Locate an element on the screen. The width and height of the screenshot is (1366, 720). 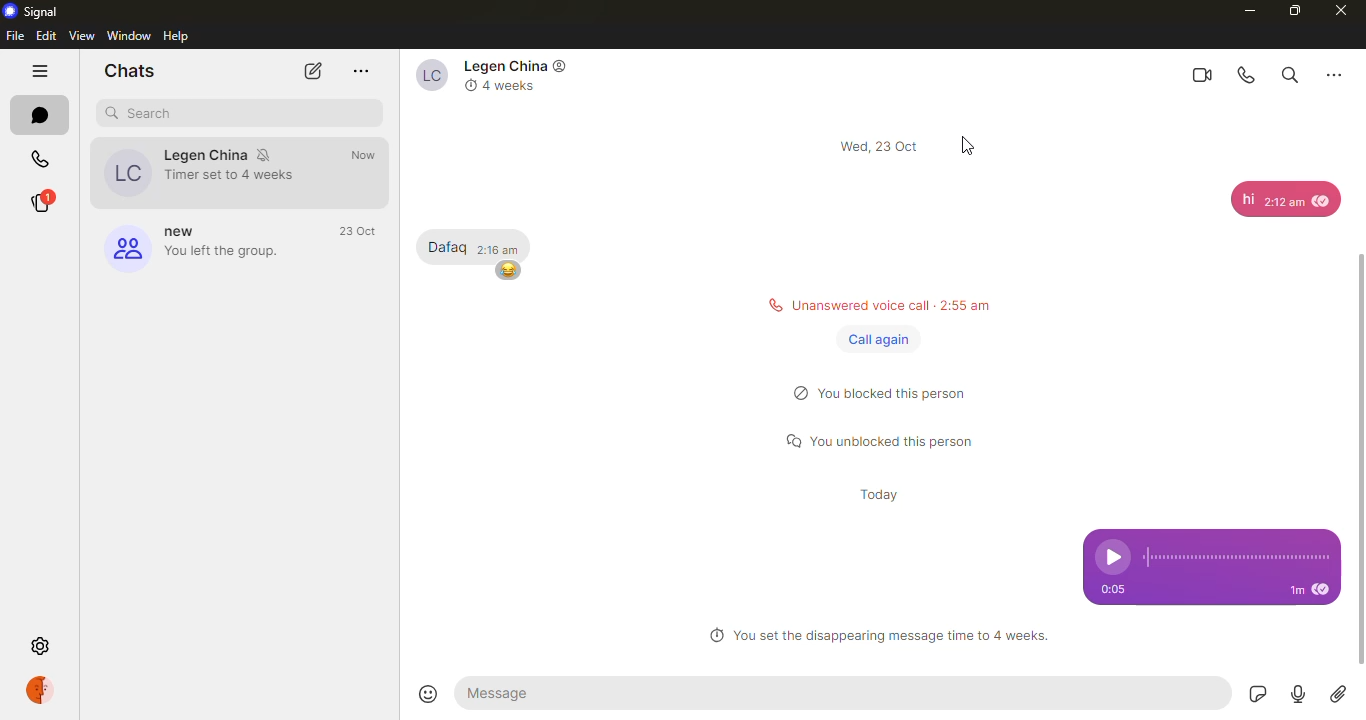
message is located at coordinates (447, 245).